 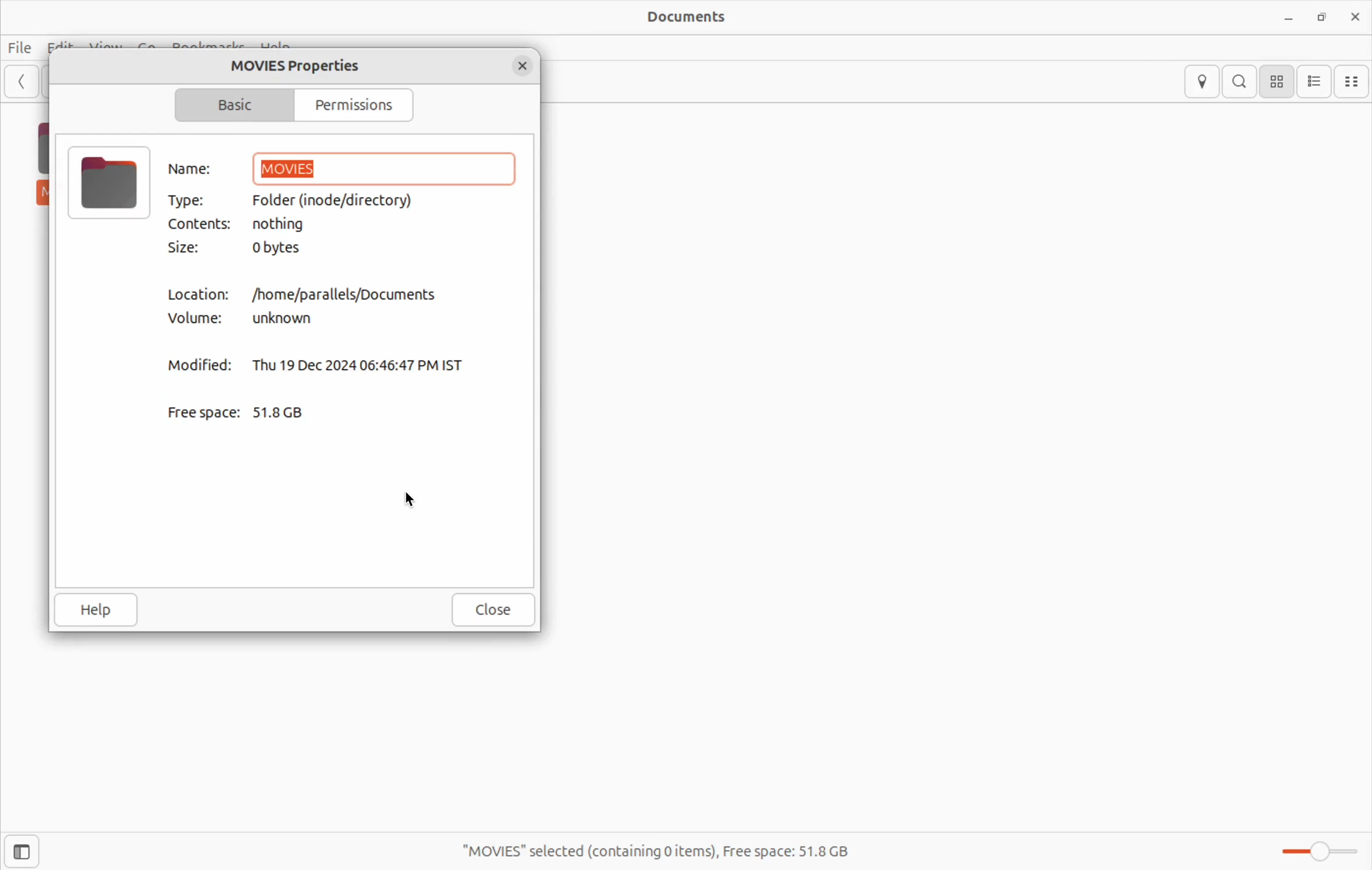 What do you see at coordinates (1203, 81) in the screenshot?
I see `location` at bounding box center [1203, 81].